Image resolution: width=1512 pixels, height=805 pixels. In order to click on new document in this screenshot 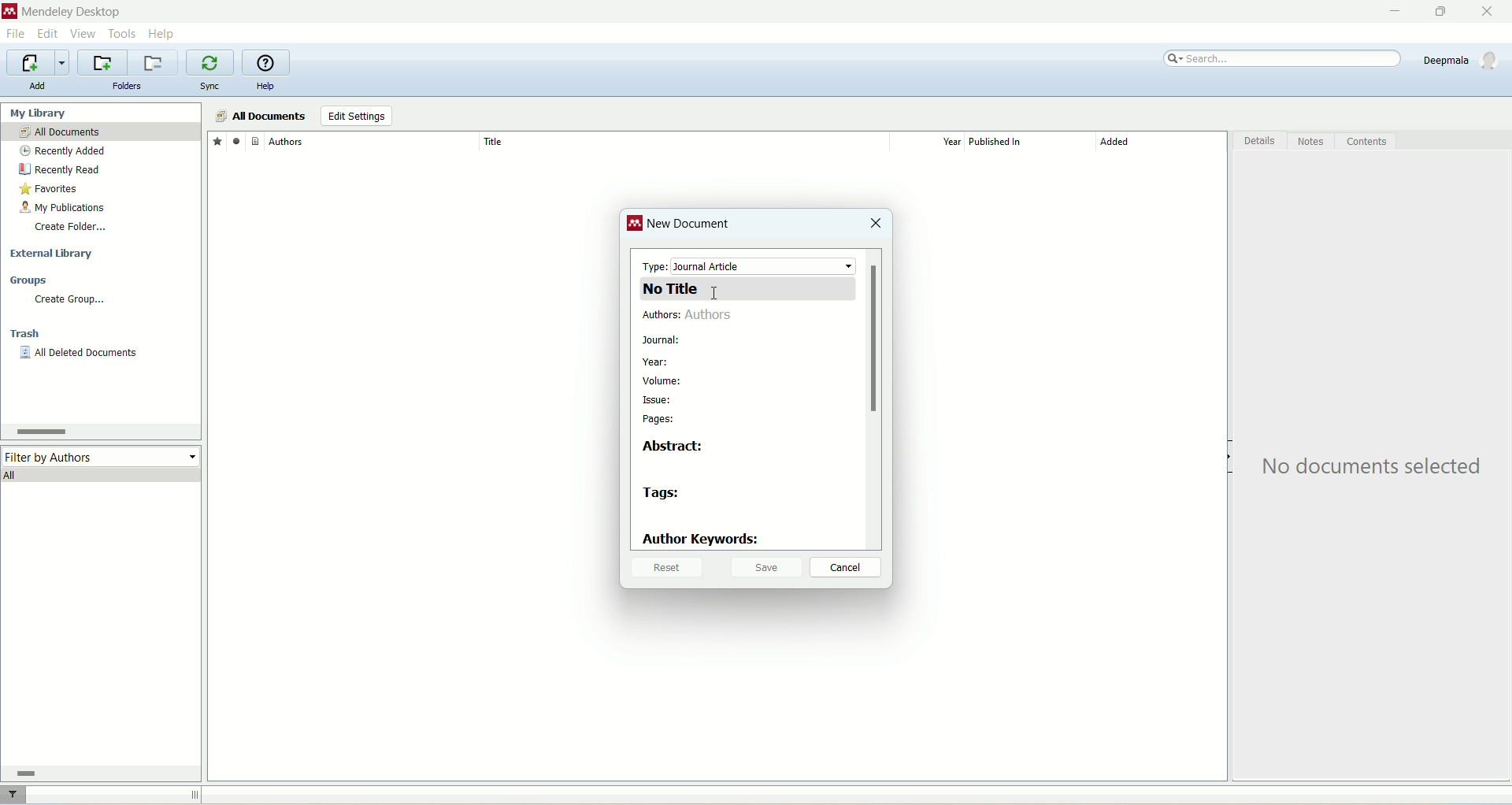, I will do `click(691, 227)`.